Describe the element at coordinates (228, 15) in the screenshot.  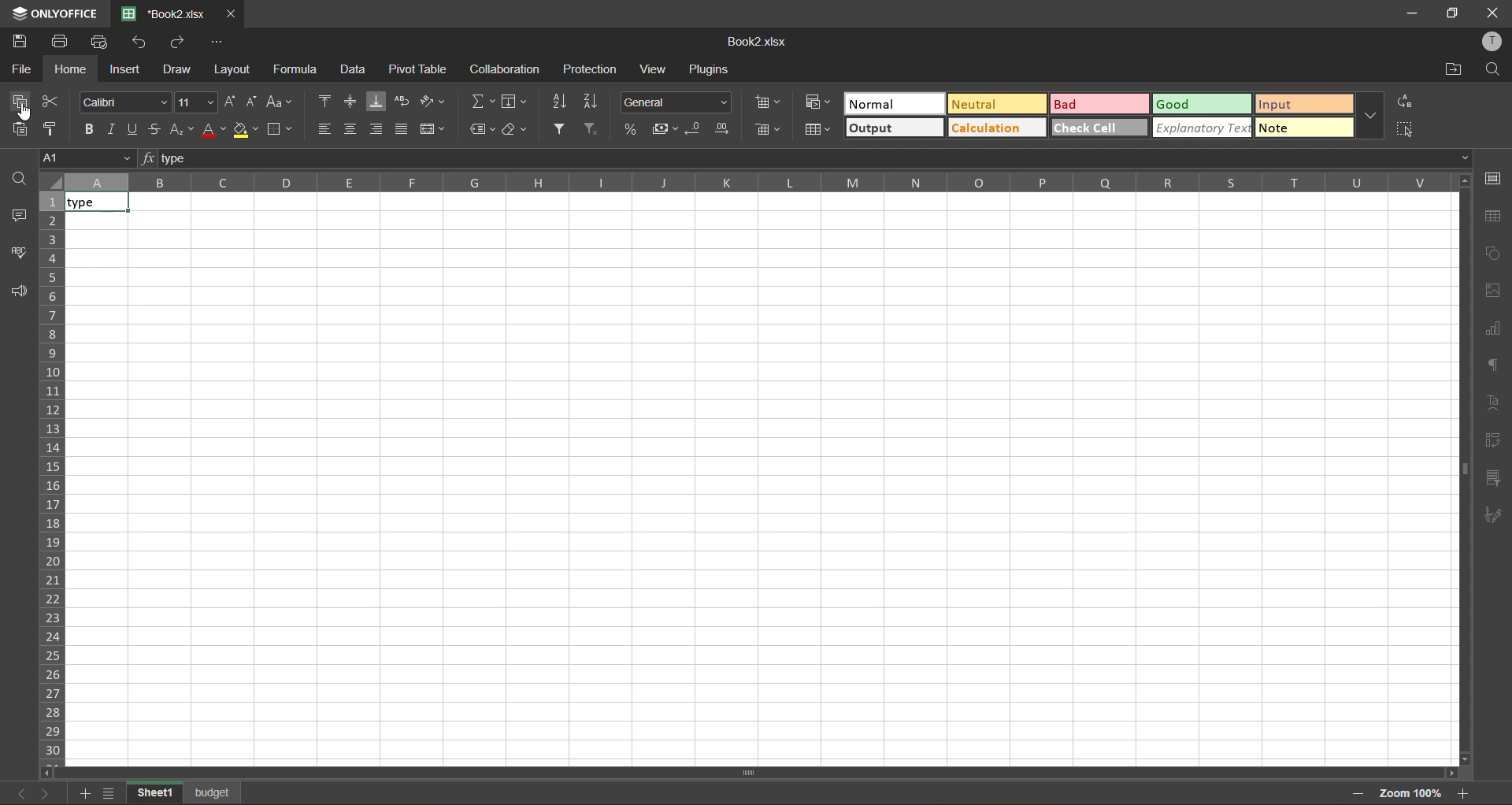
I see `close tab` at that location.